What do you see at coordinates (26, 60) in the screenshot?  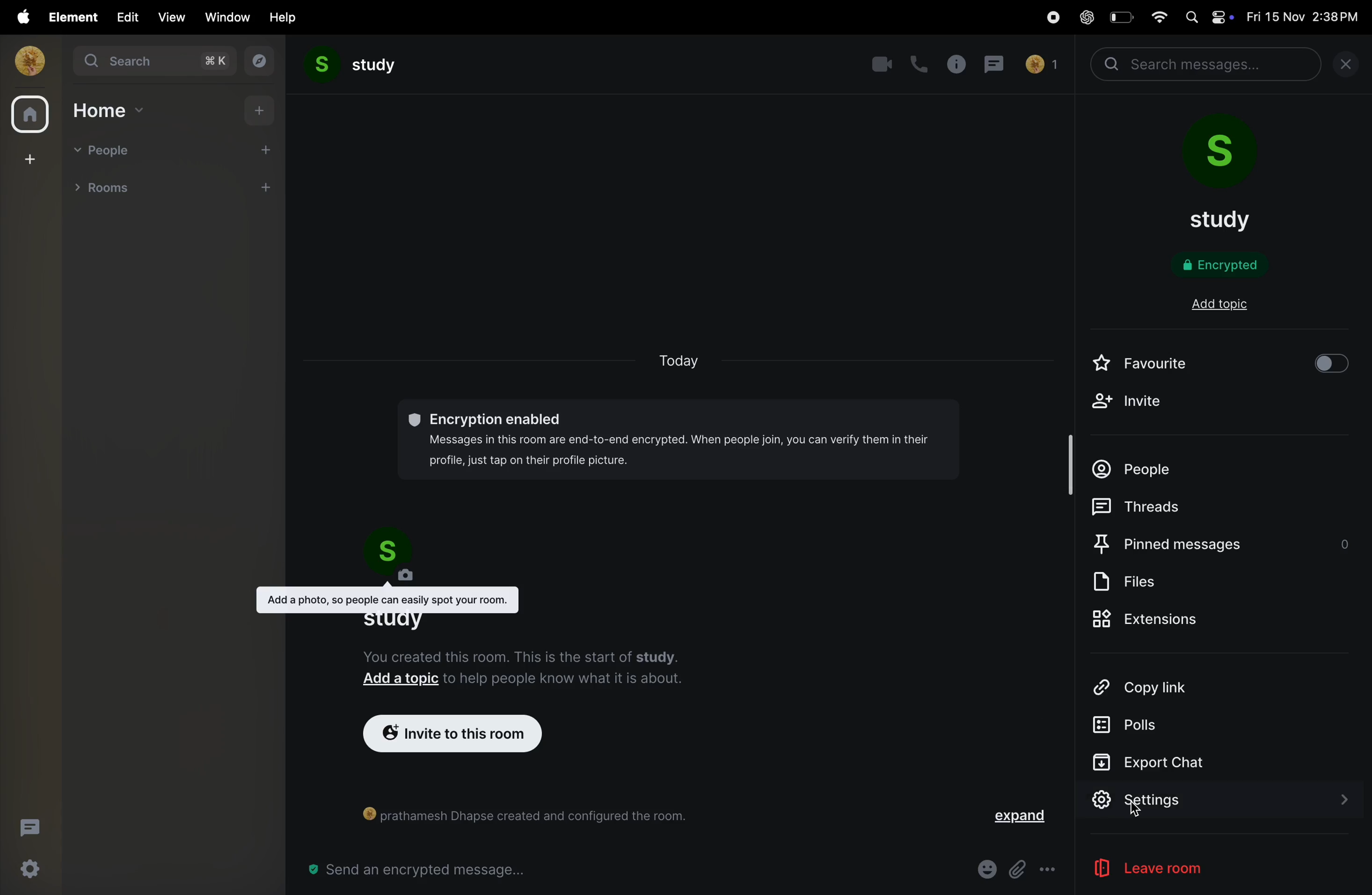 I see `profile` at bounding box center [26, 60].